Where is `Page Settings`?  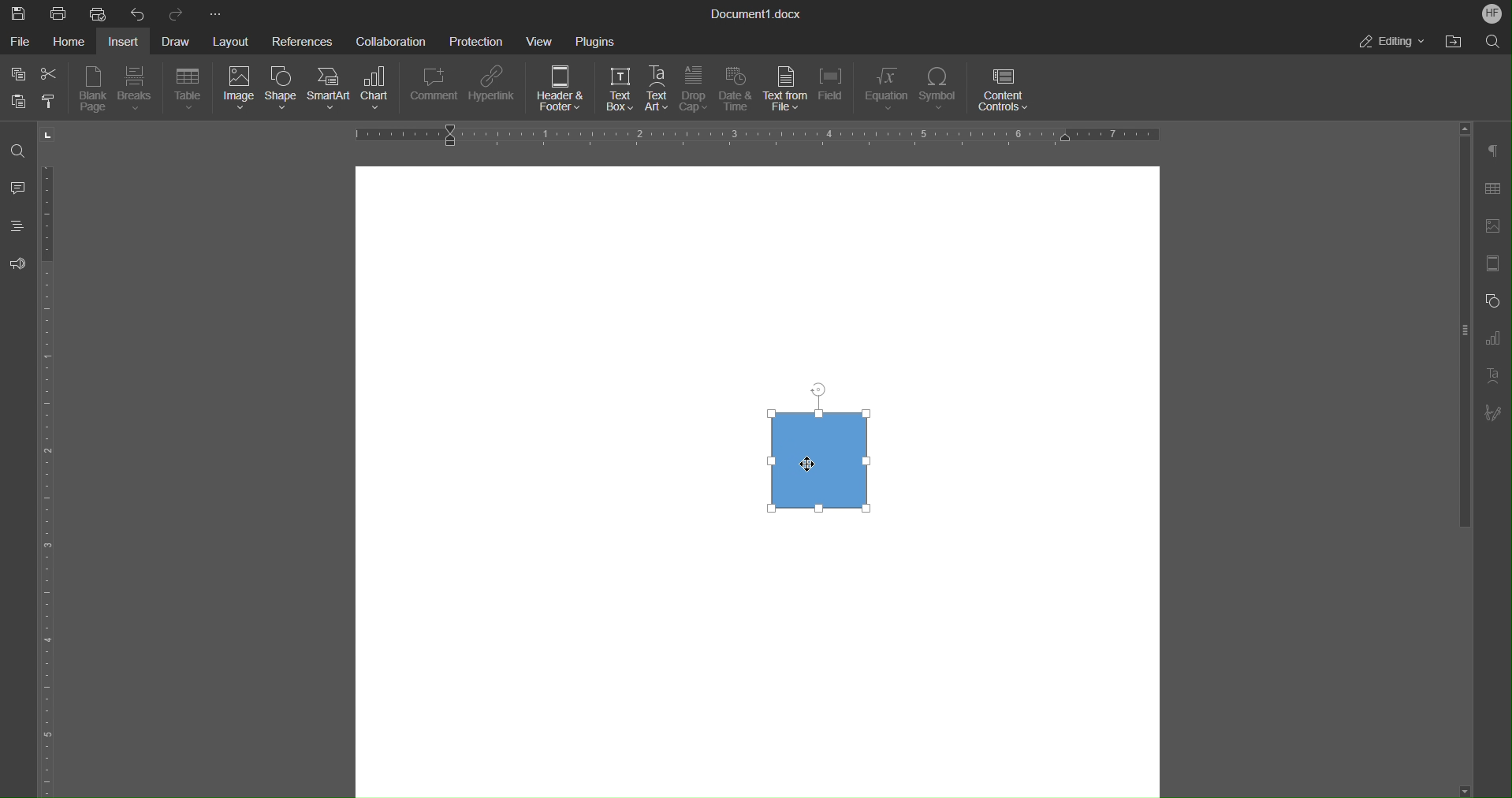
Page Settings is located at coordinates (1496, 263).